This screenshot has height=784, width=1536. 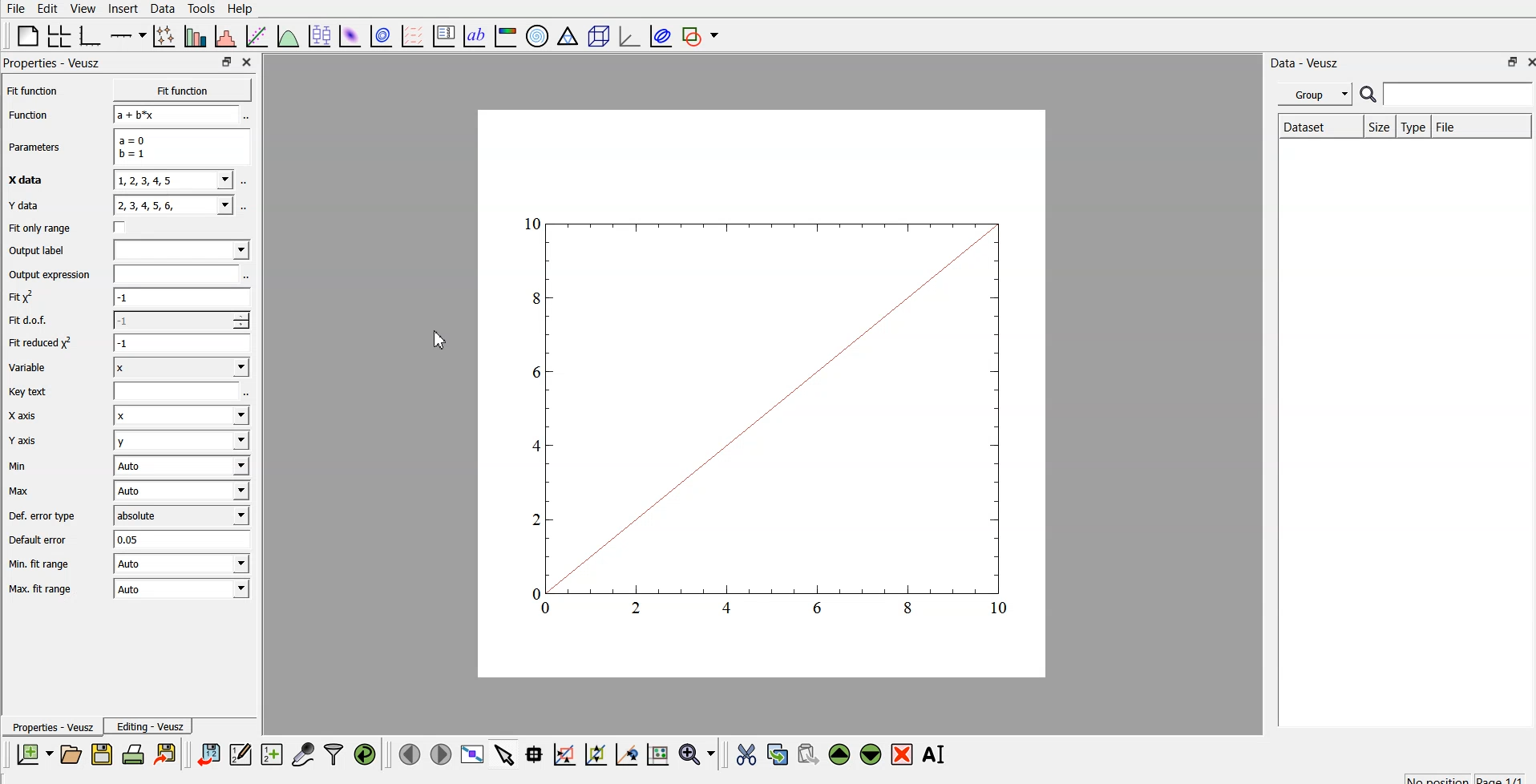 What do you see at coordinates (14, 8) in the screenshot?
I see `file` at bounding box center [14, 8].